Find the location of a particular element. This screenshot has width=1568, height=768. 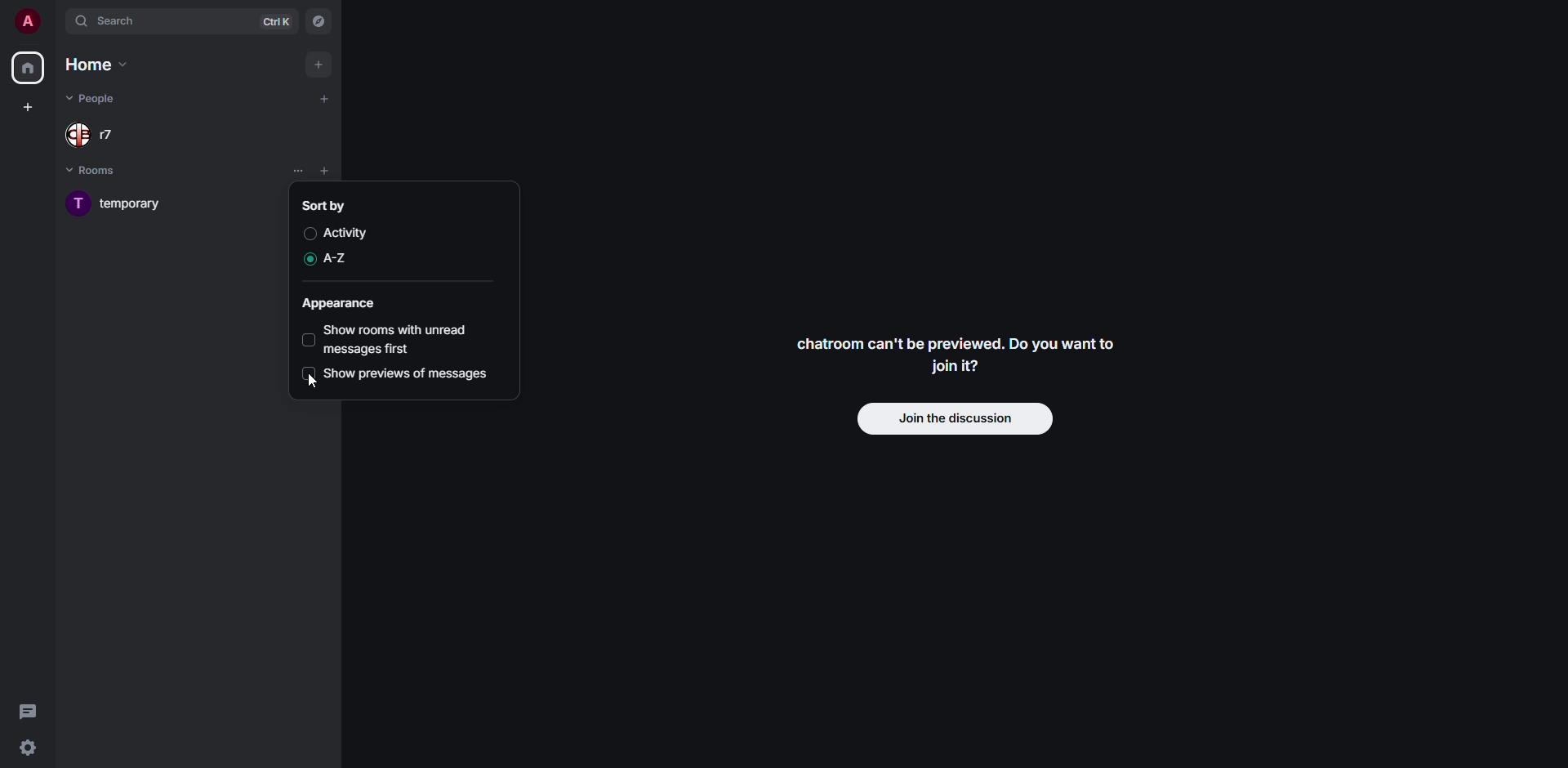

search is located at coordinates (115, 20).